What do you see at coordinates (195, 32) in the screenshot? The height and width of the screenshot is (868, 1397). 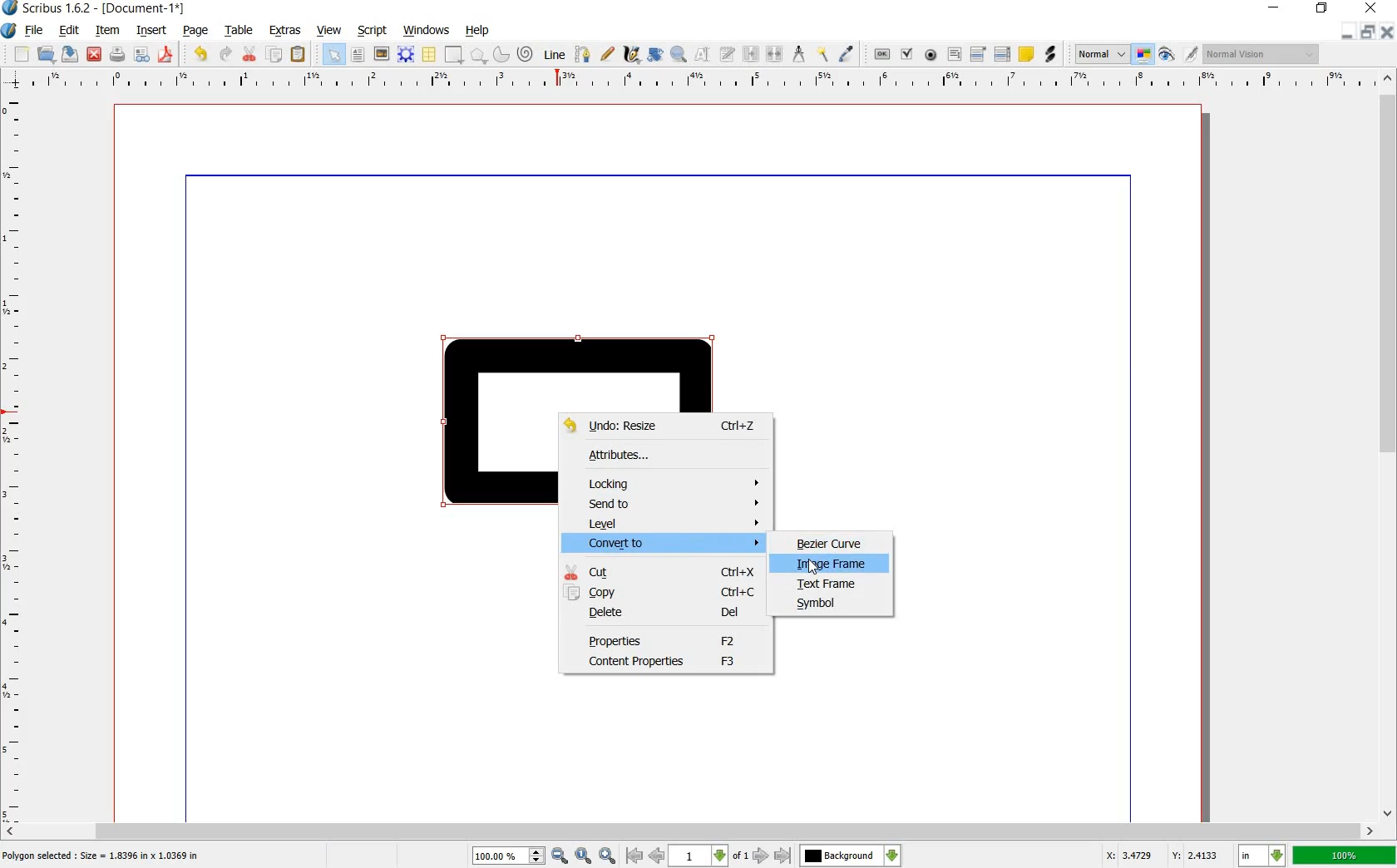 I see `page` at bounding box center [195, 32].